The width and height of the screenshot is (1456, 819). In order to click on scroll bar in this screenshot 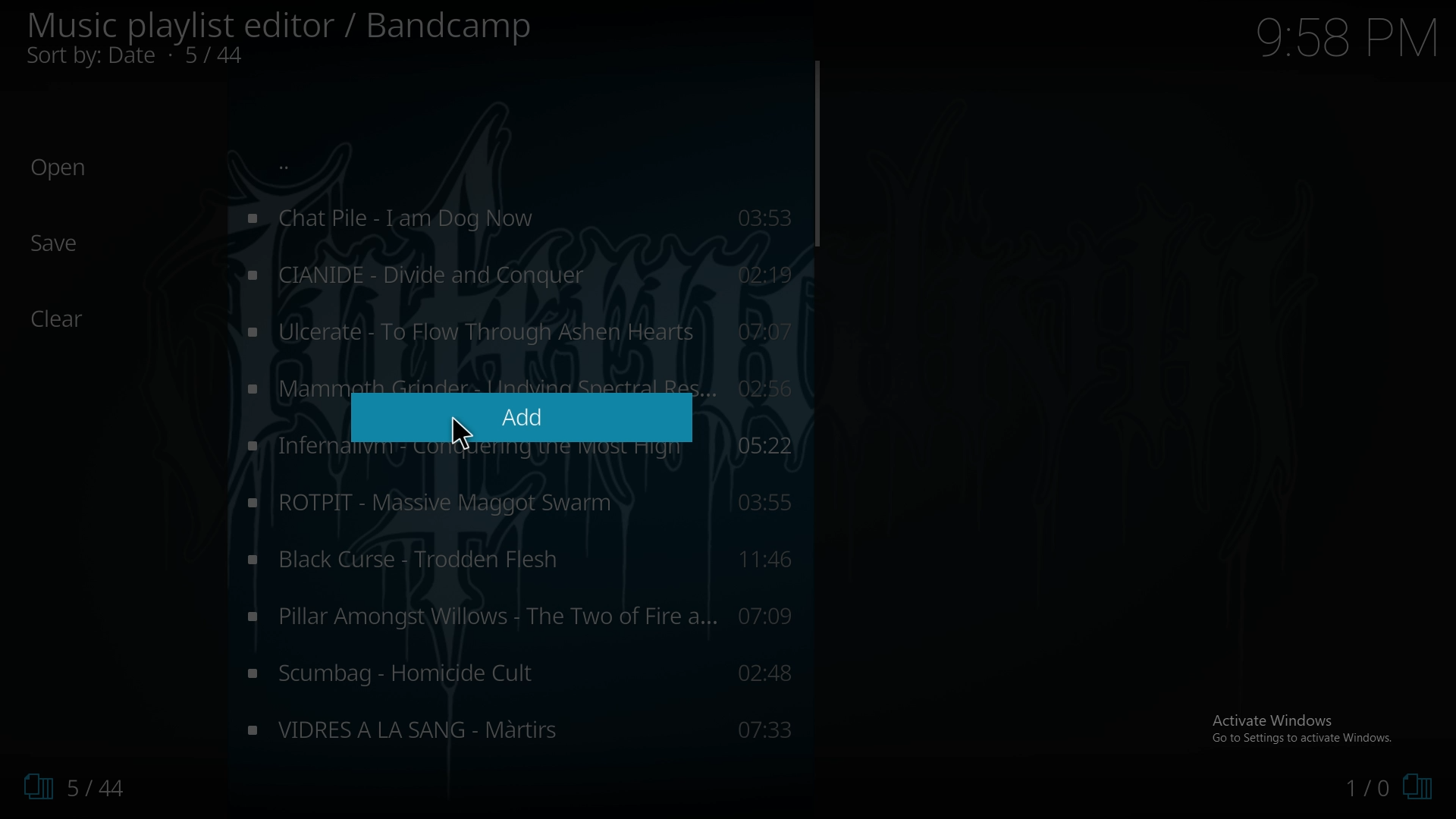, I will do `click(816, 153)`.